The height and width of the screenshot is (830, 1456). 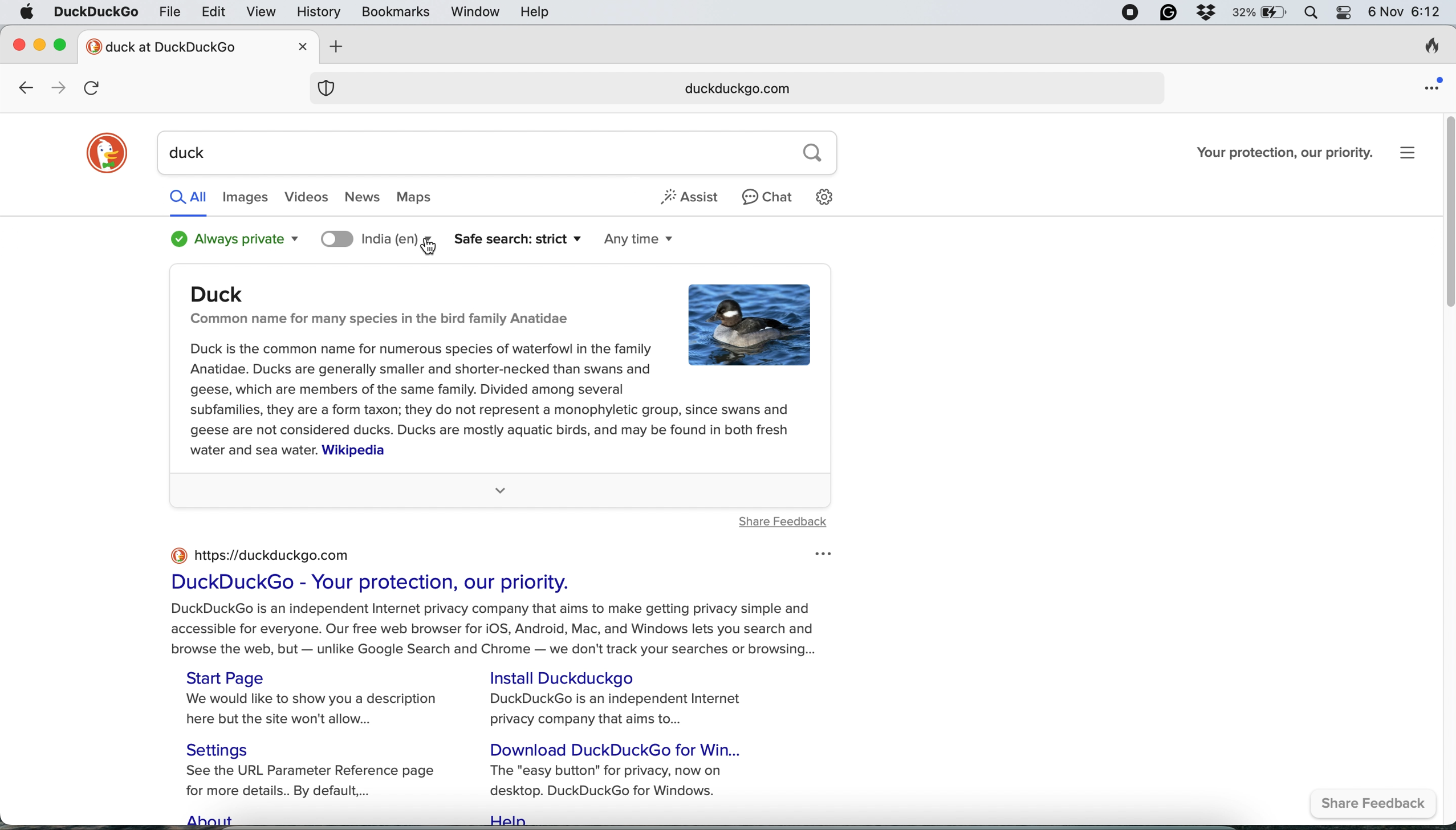 What do you see at coordinates (95, 13) in the screenshot?
I see `duckduckgo` at bounding box center [95, 13].